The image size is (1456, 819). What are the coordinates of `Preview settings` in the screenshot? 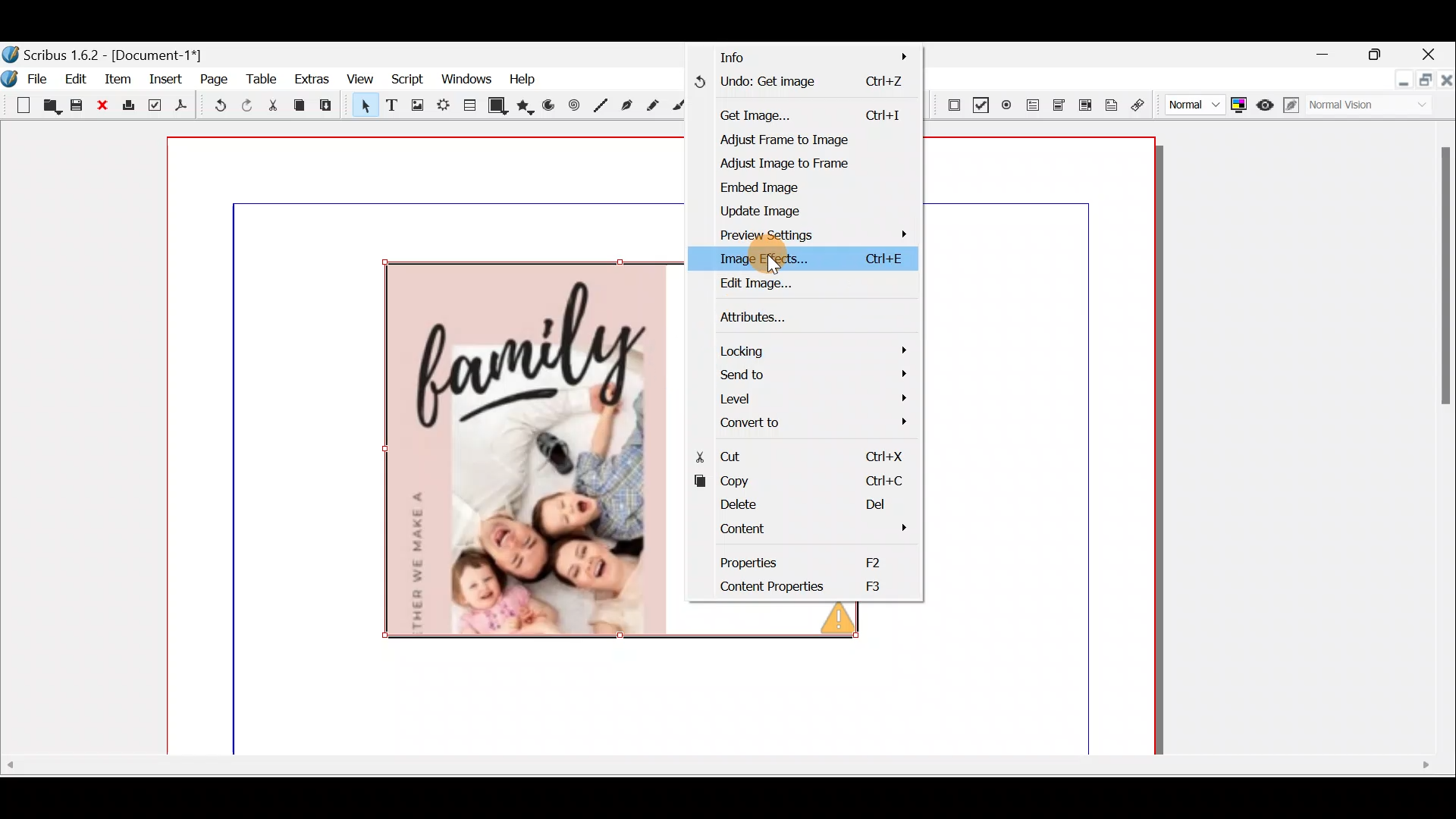 It's located at (802, 234).